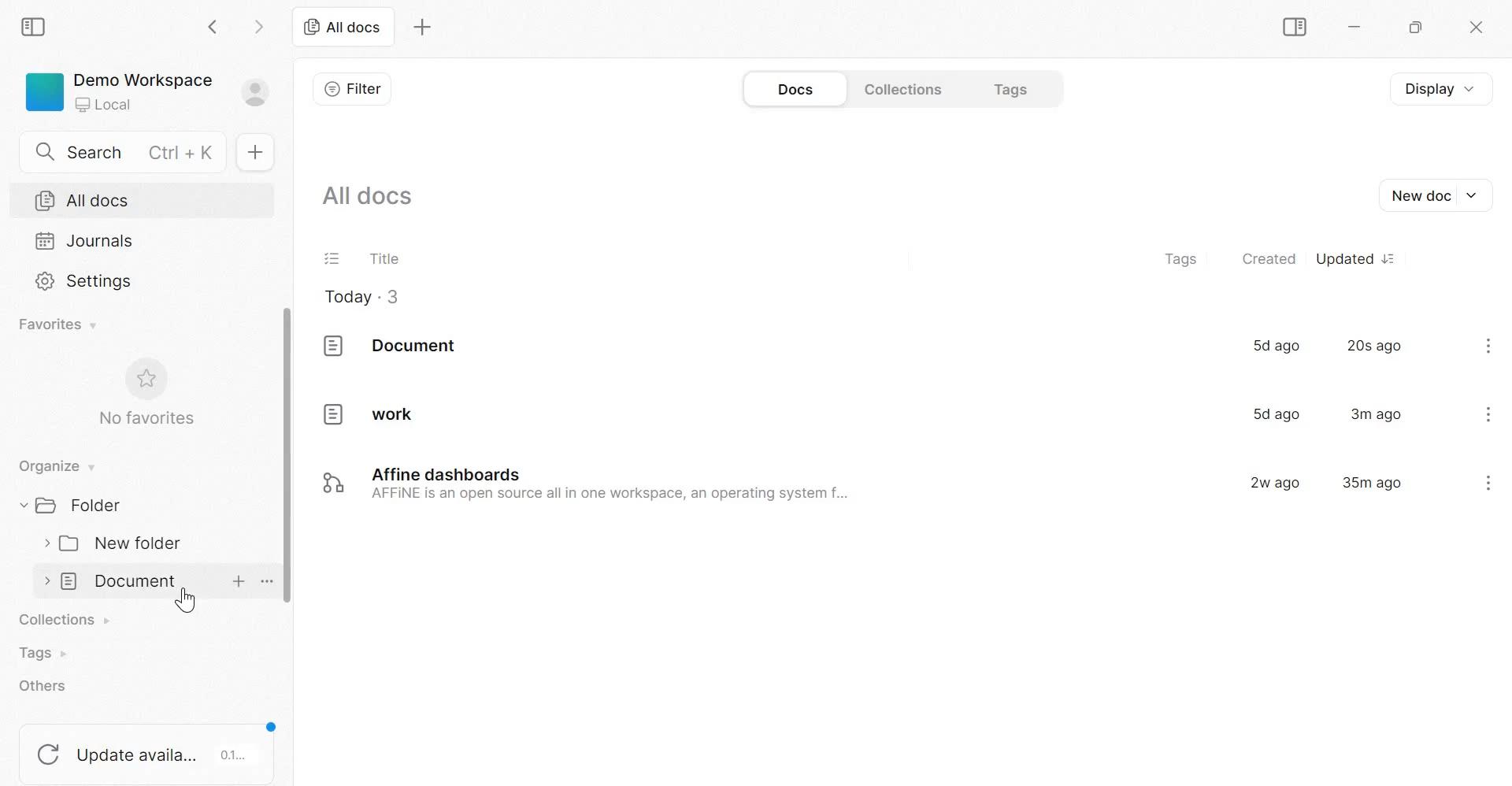  I want to click on document, so click(394, 346).